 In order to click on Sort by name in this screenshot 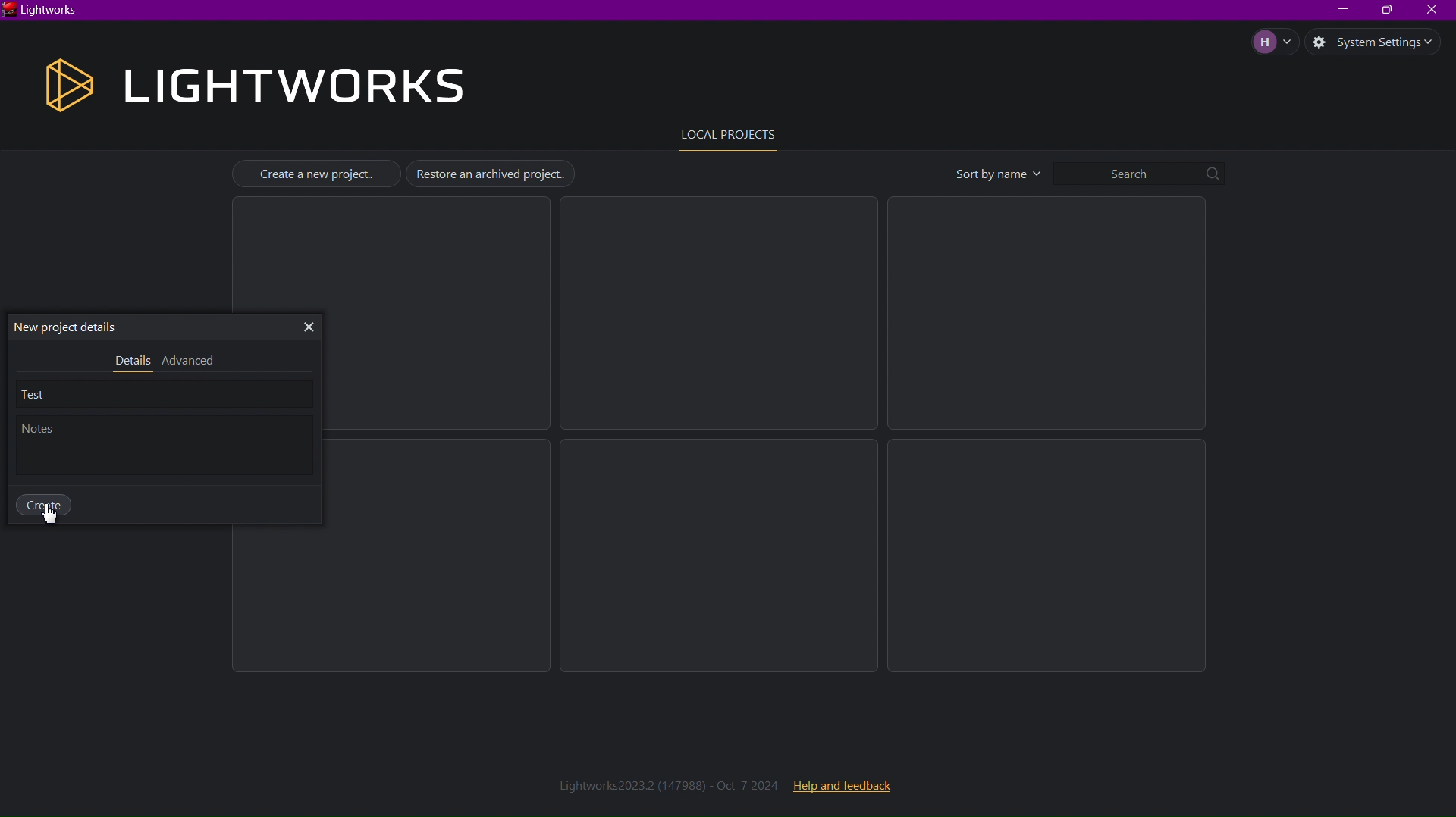, I will do `click(996, 174)`.